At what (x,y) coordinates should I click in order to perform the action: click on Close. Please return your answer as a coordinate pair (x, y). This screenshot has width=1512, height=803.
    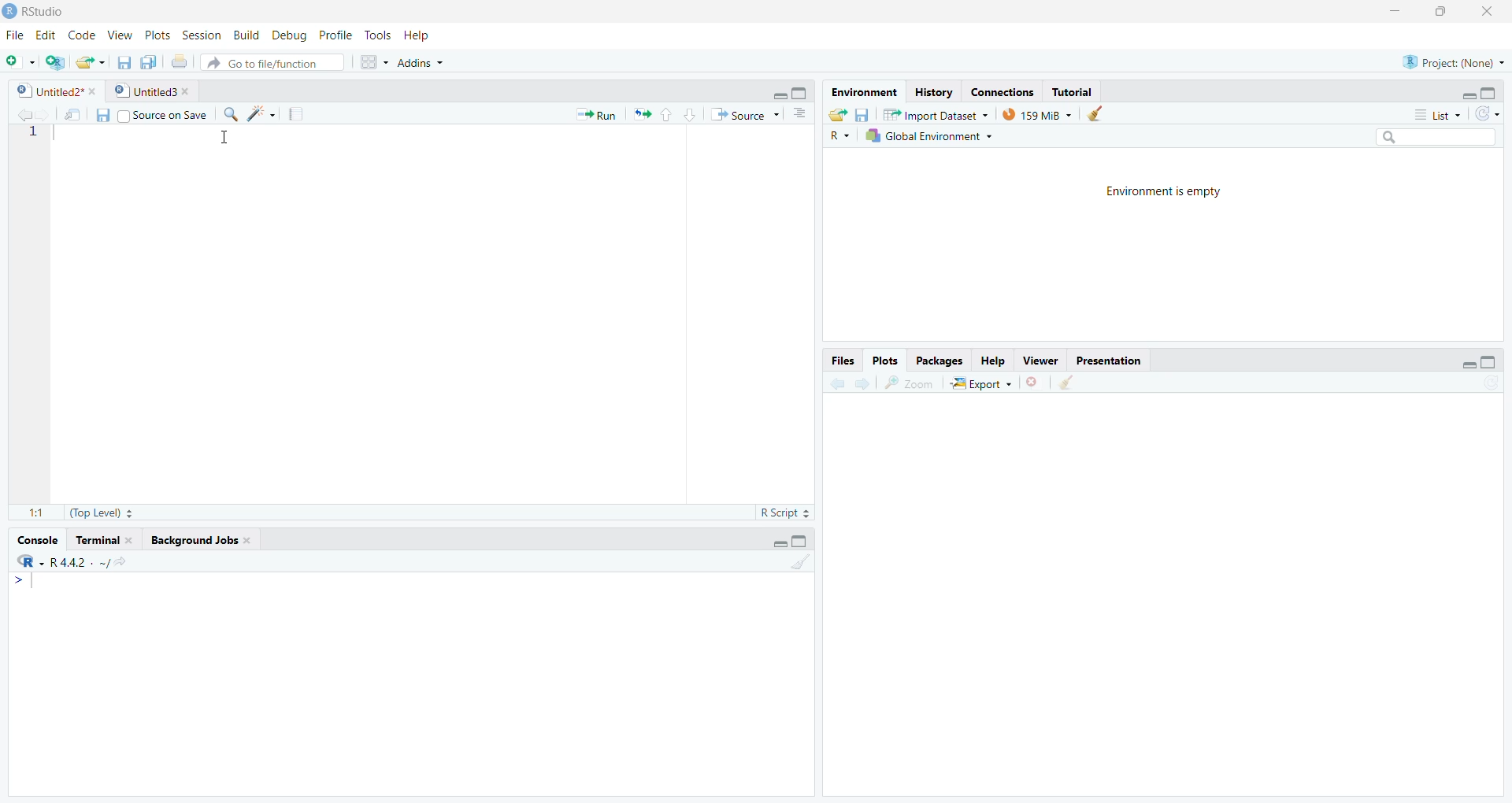
    Looking at the image, I should click on (1488, 13).